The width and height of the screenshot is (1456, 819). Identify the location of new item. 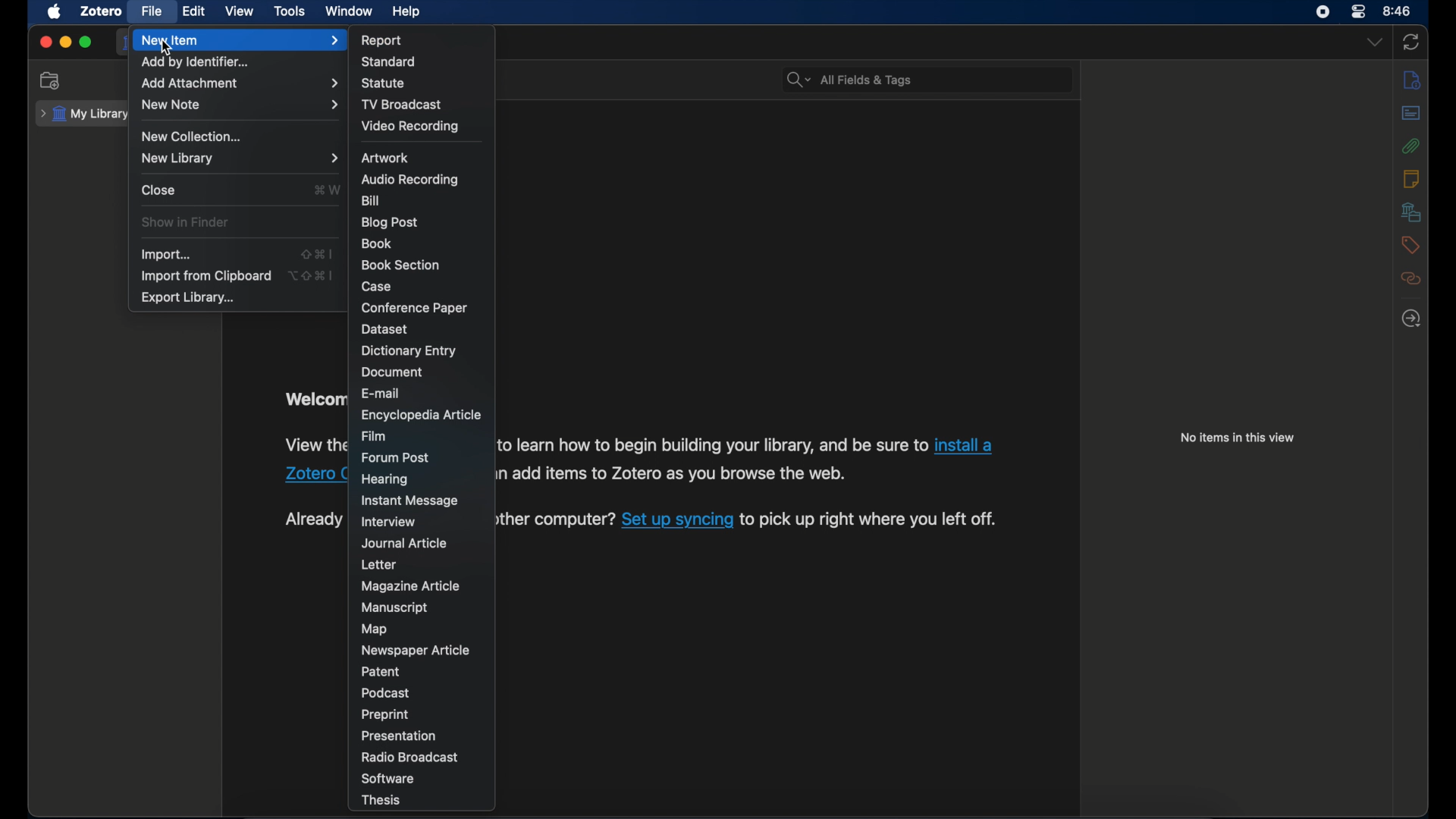
(240, 40).